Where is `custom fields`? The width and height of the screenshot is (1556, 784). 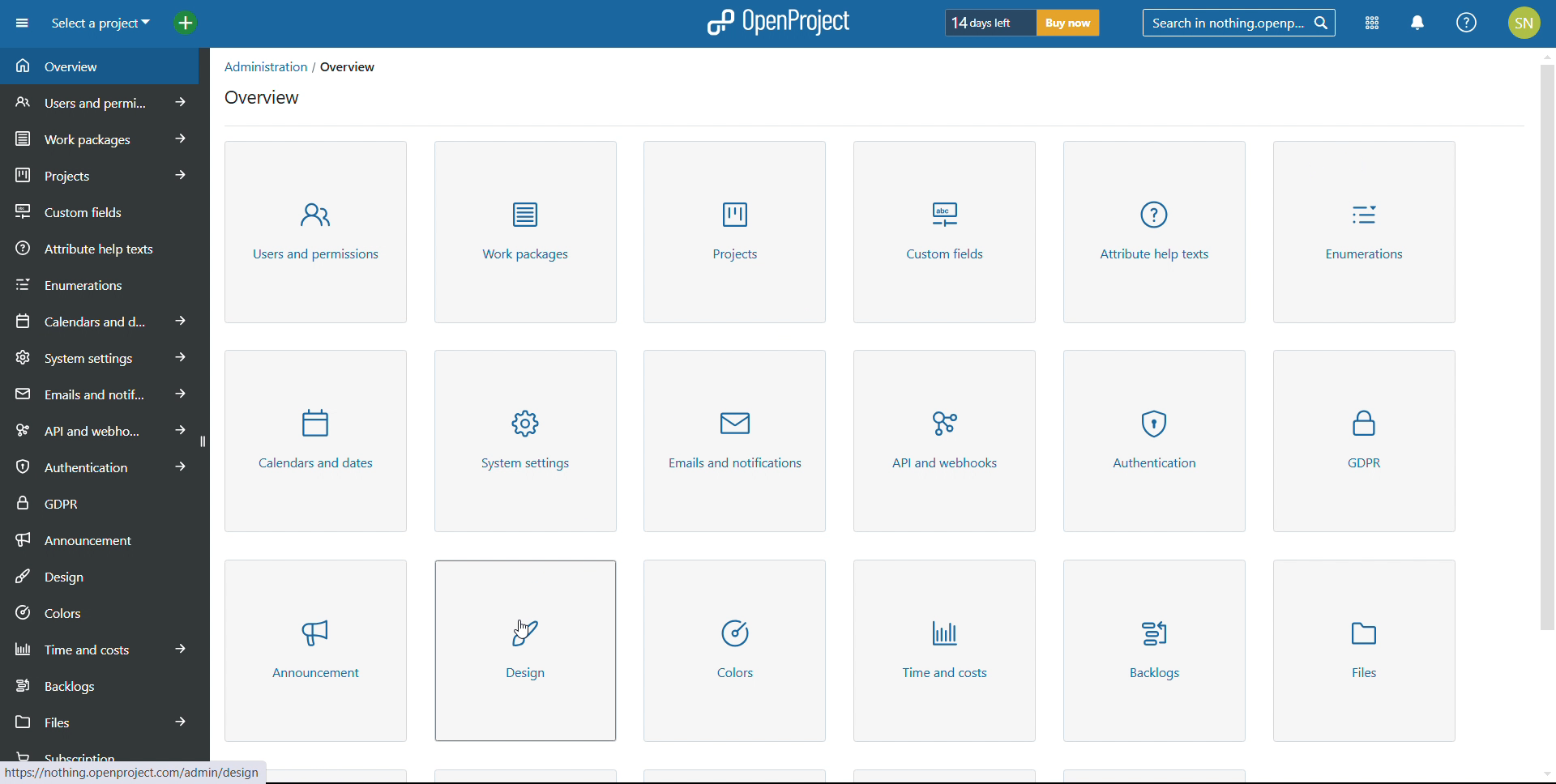 custom fields is located at coordinates (947, 232).